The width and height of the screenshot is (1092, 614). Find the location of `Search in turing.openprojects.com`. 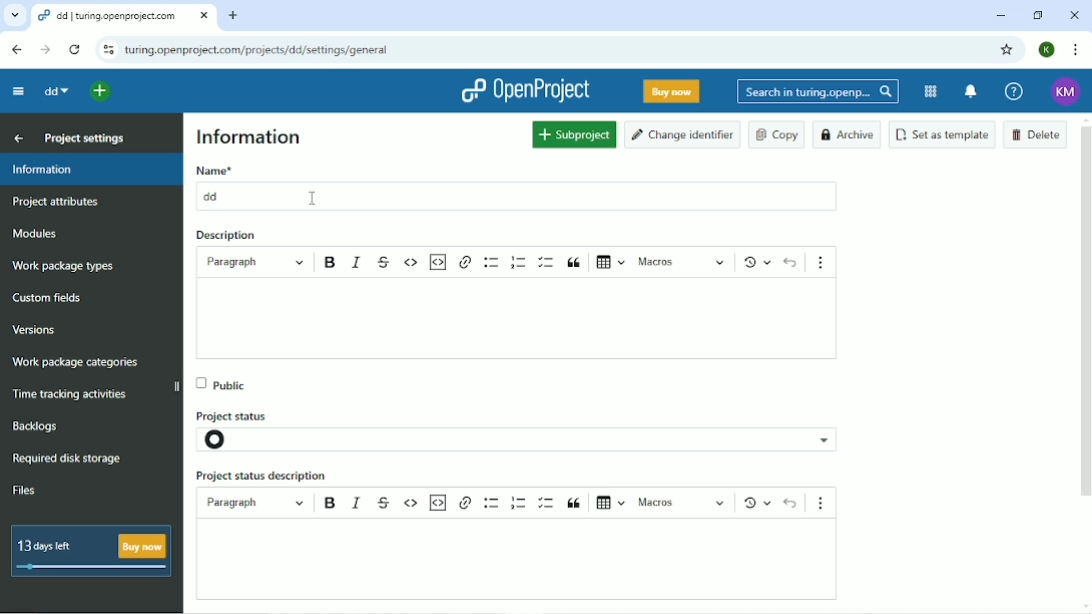

Search in turing.openprojects.com is located at coordinates (818, 92).